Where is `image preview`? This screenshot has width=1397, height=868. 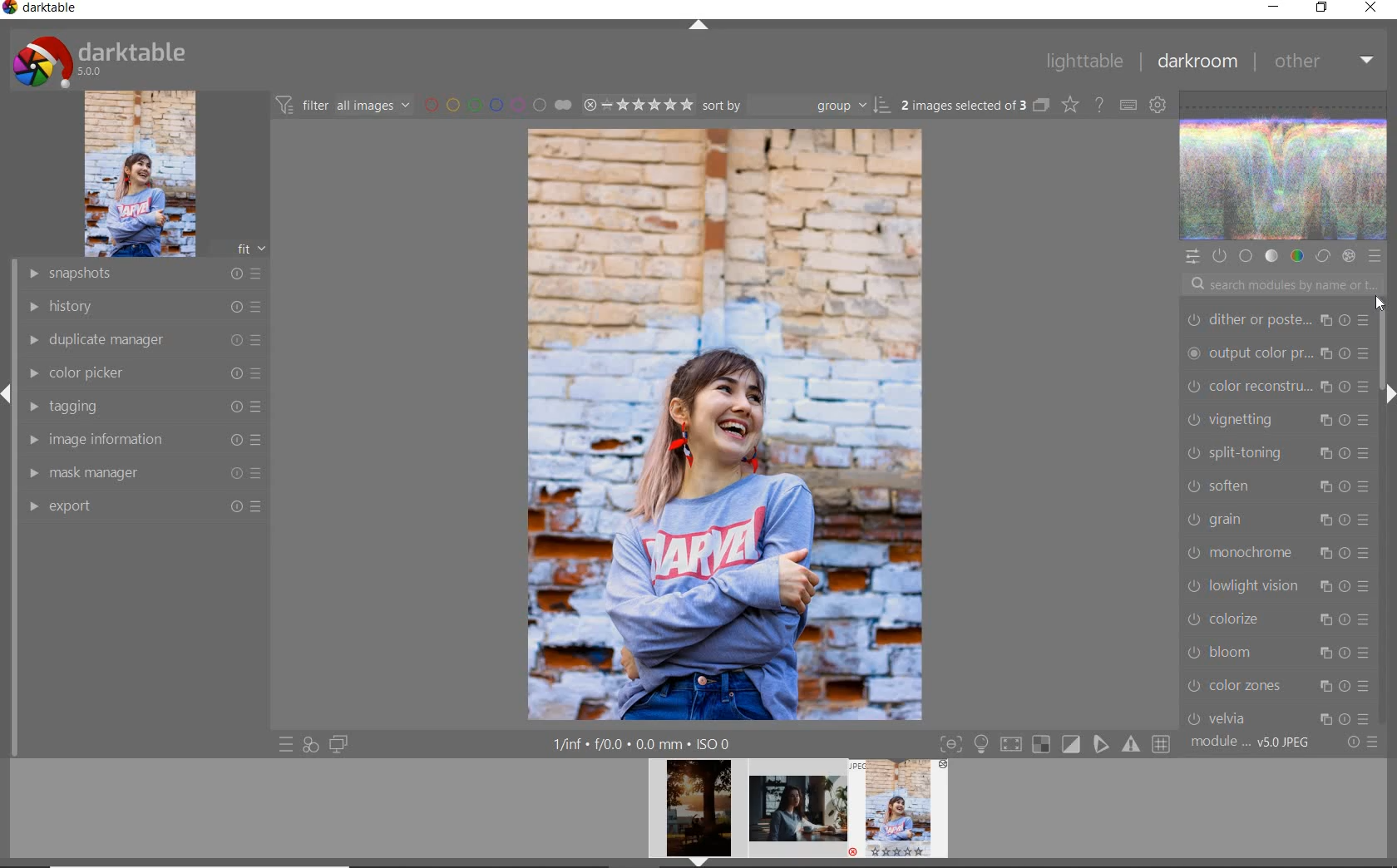
image preview is located at coordinates (798, 813).